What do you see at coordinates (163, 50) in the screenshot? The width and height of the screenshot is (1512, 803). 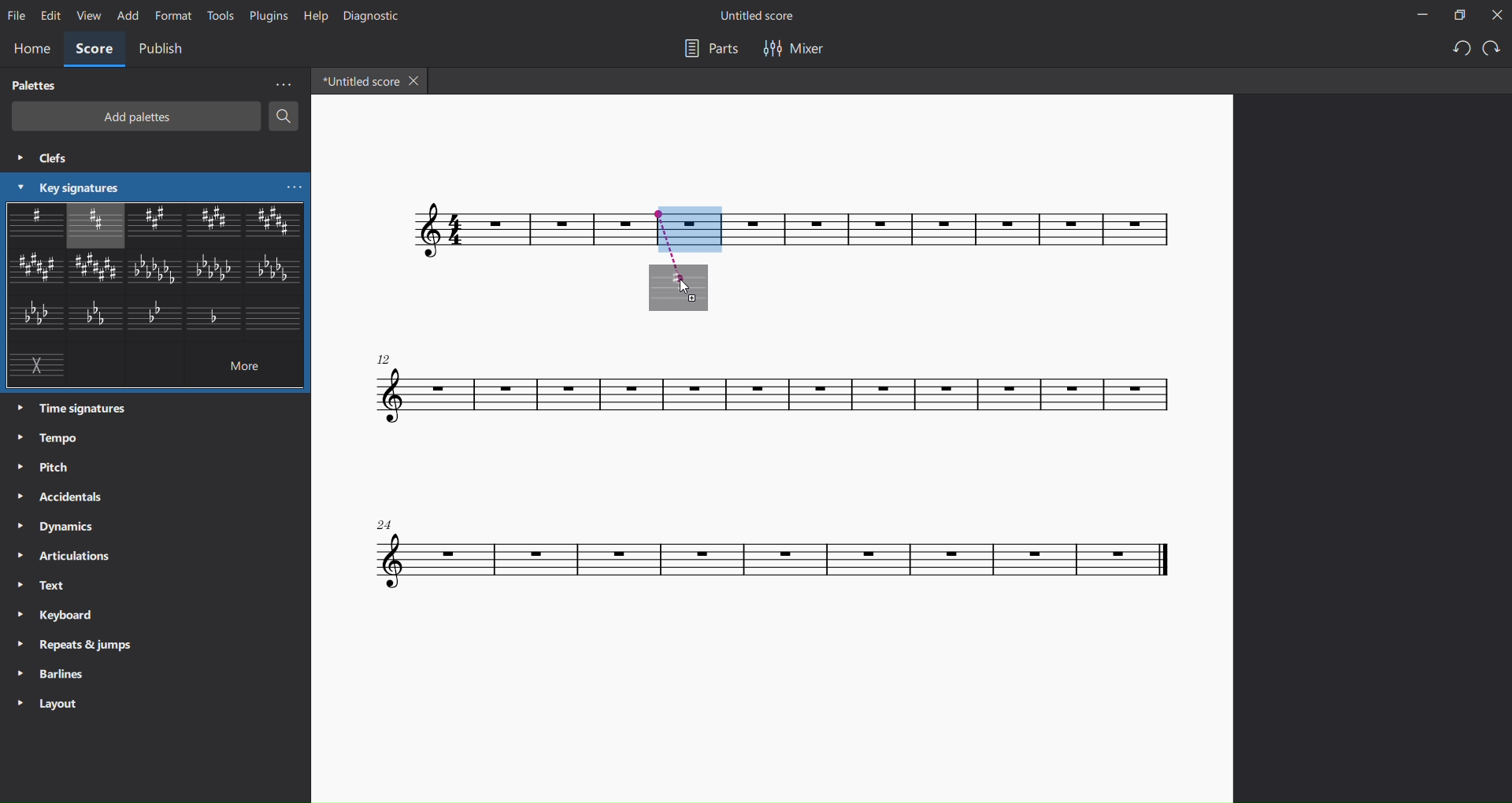 I see `publish` at bounding box center [163, 50].